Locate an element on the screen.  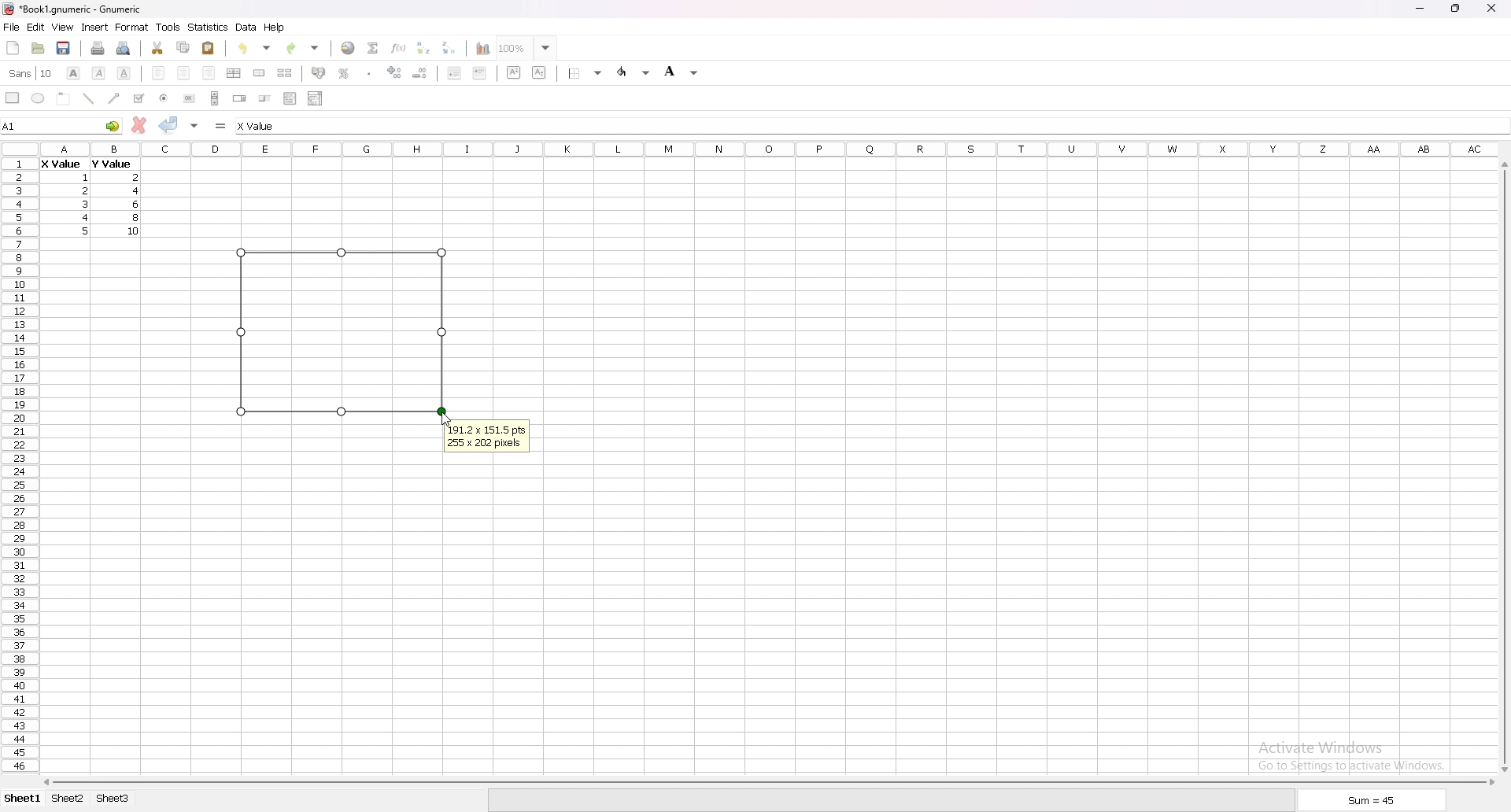
columns is located at coordinates (770, 147).